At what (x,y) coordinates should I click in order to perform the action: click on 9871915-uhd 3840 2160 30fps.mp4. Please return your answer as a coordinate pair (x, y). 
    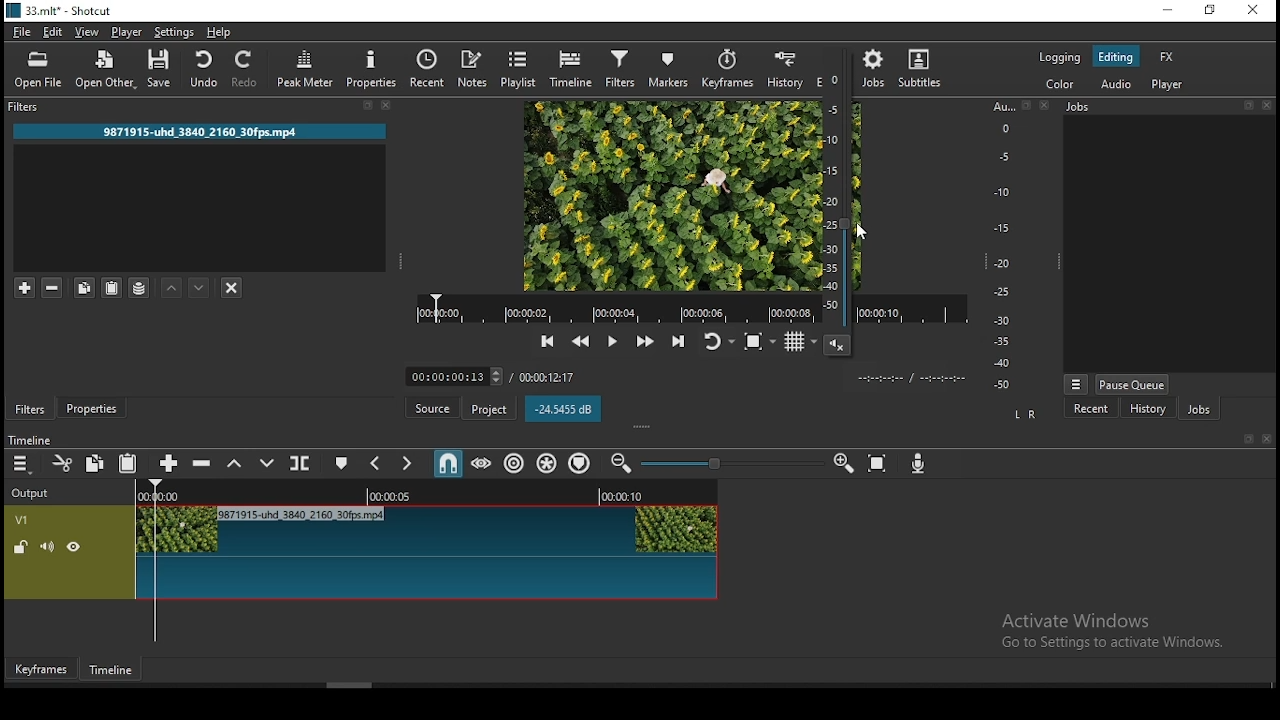
    Looking at the image, I should click on (195, 131).